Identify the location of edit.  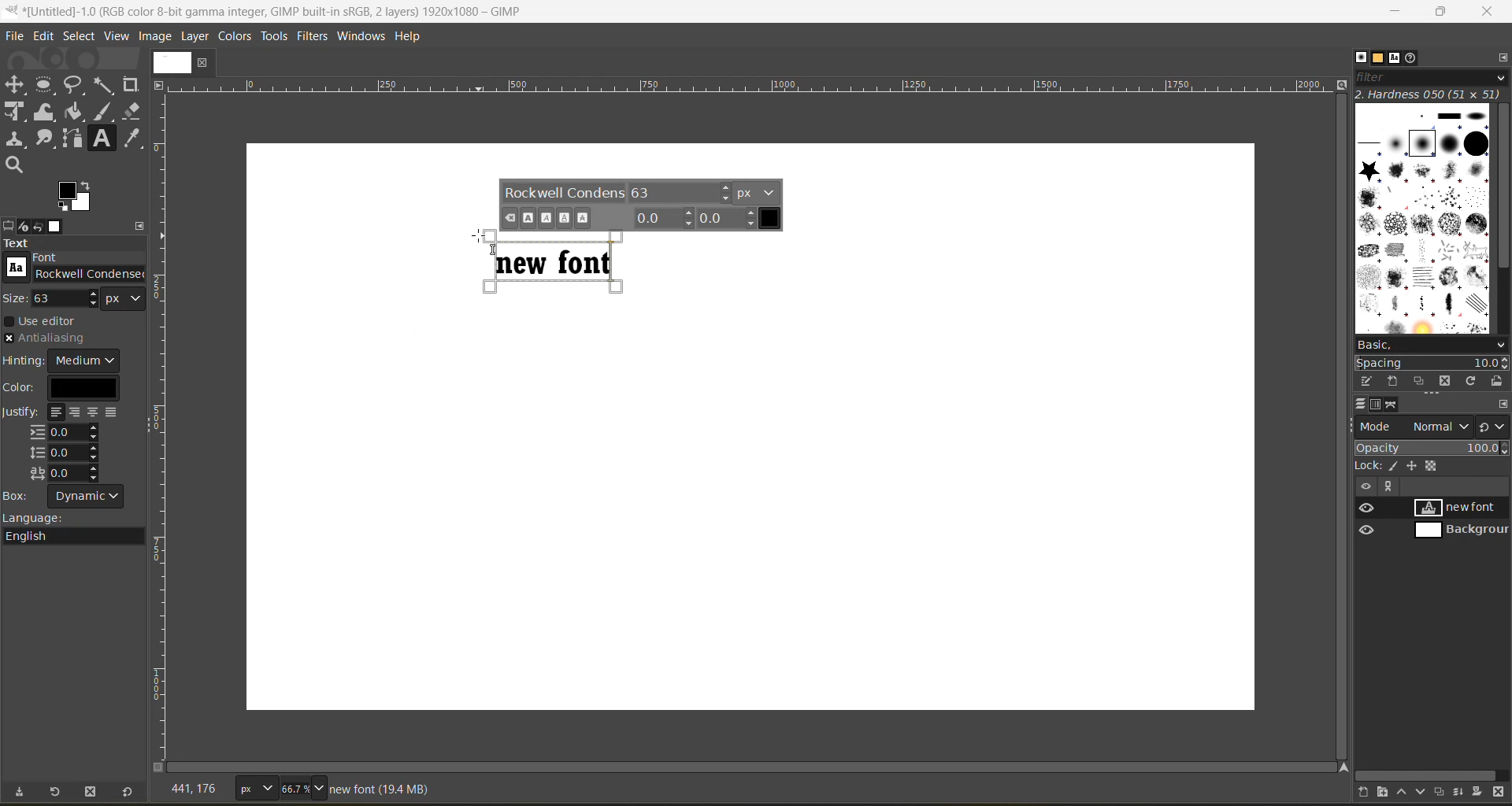
(45, 38).